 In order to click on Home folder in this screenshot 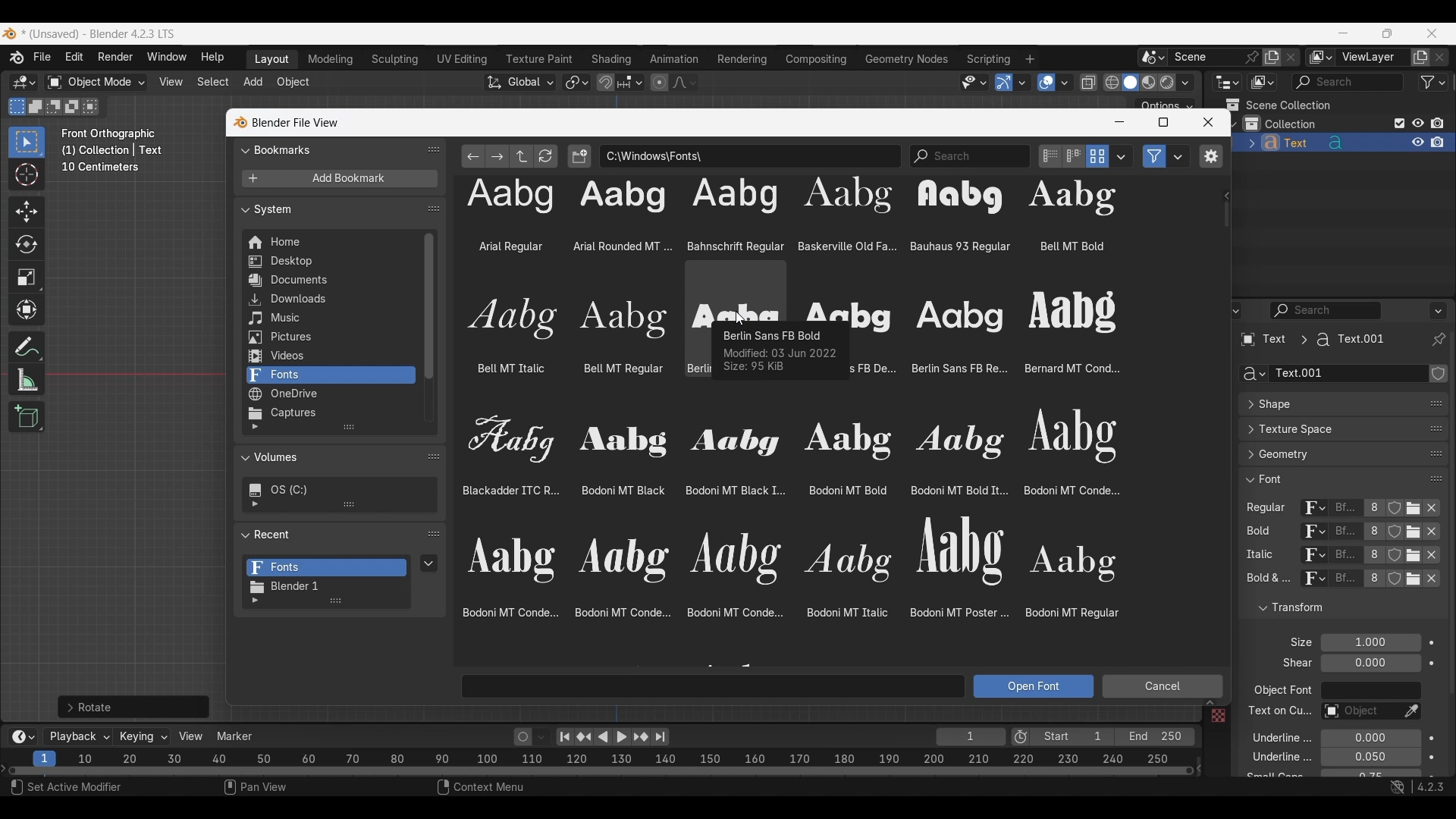, I will do `click(329, 242)`.